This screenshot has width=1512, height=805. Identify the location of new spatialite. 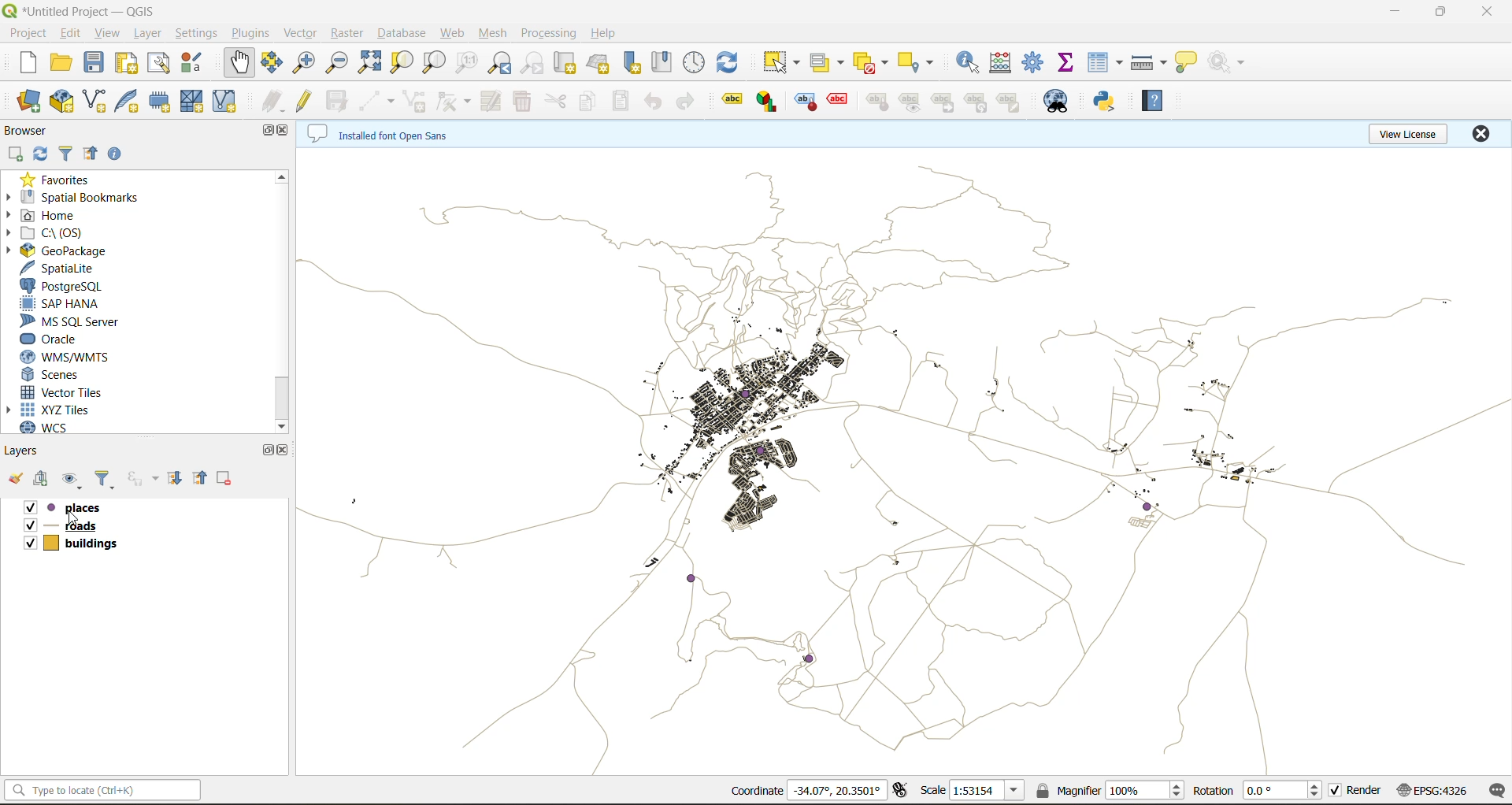
(128, 102).